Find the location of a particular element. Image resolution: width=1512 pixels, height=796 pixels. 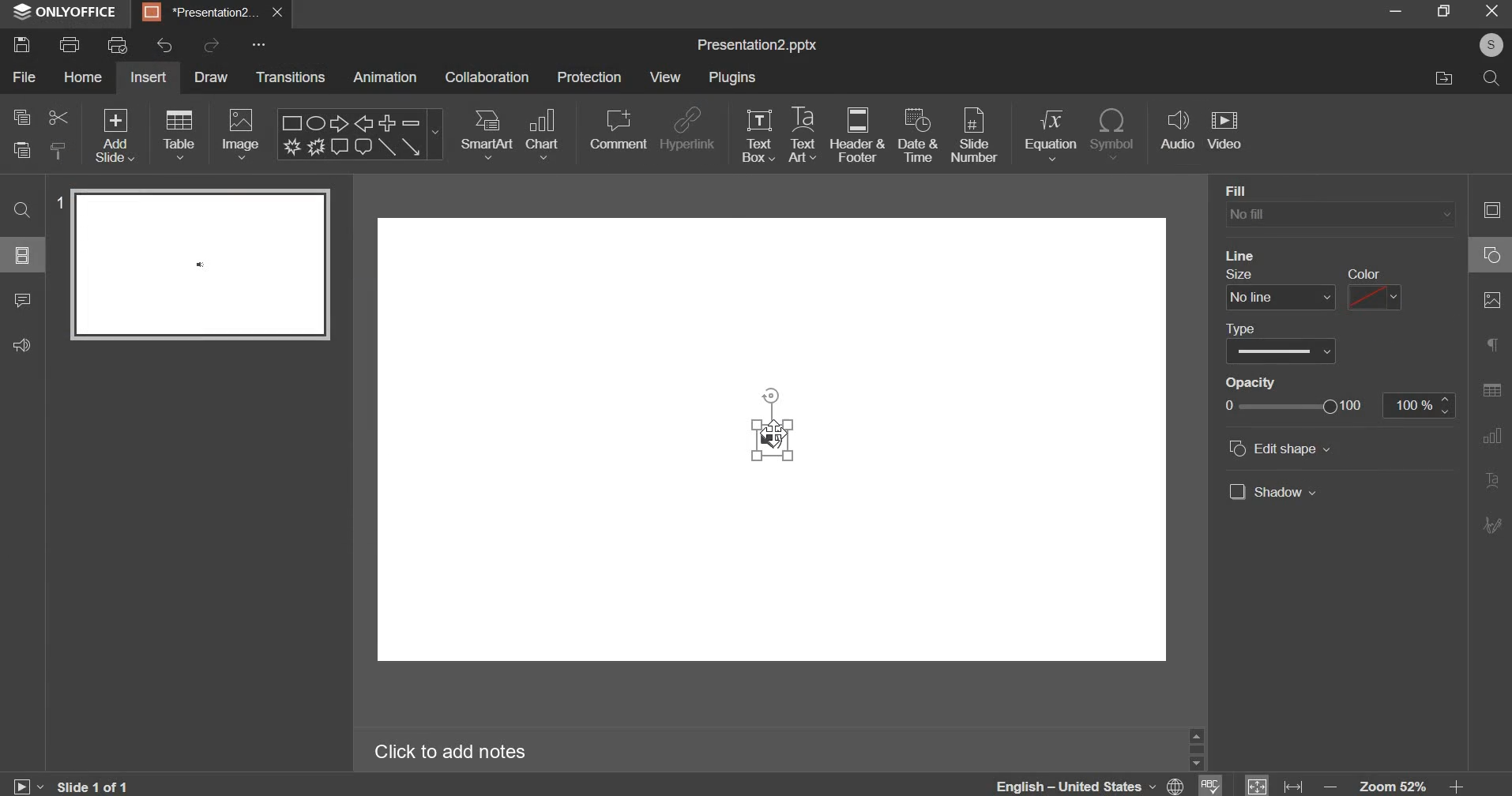

animation is located at coordinates (385, 78).